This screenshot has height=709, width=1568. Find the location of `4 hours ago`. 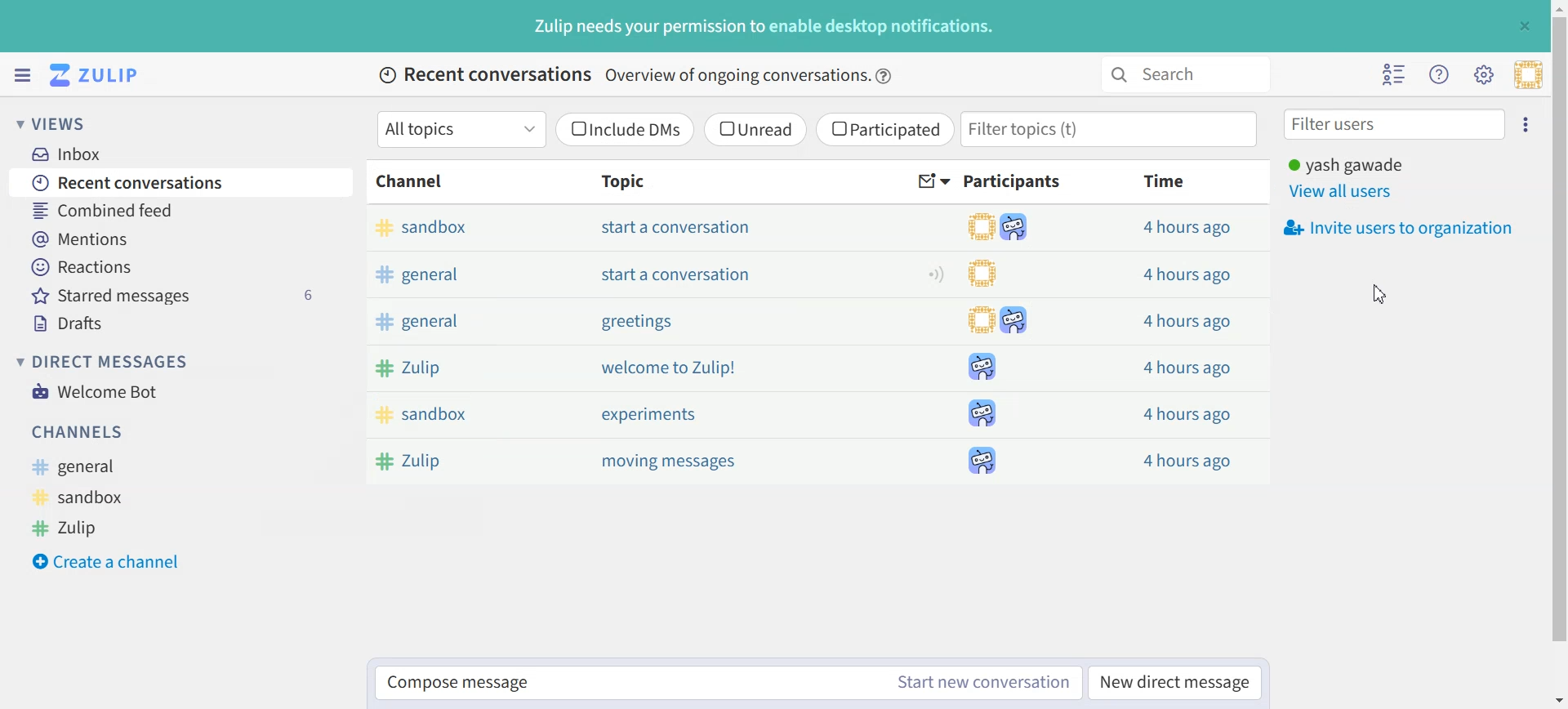

4 hours ago is located at coordinates (1187, 274).